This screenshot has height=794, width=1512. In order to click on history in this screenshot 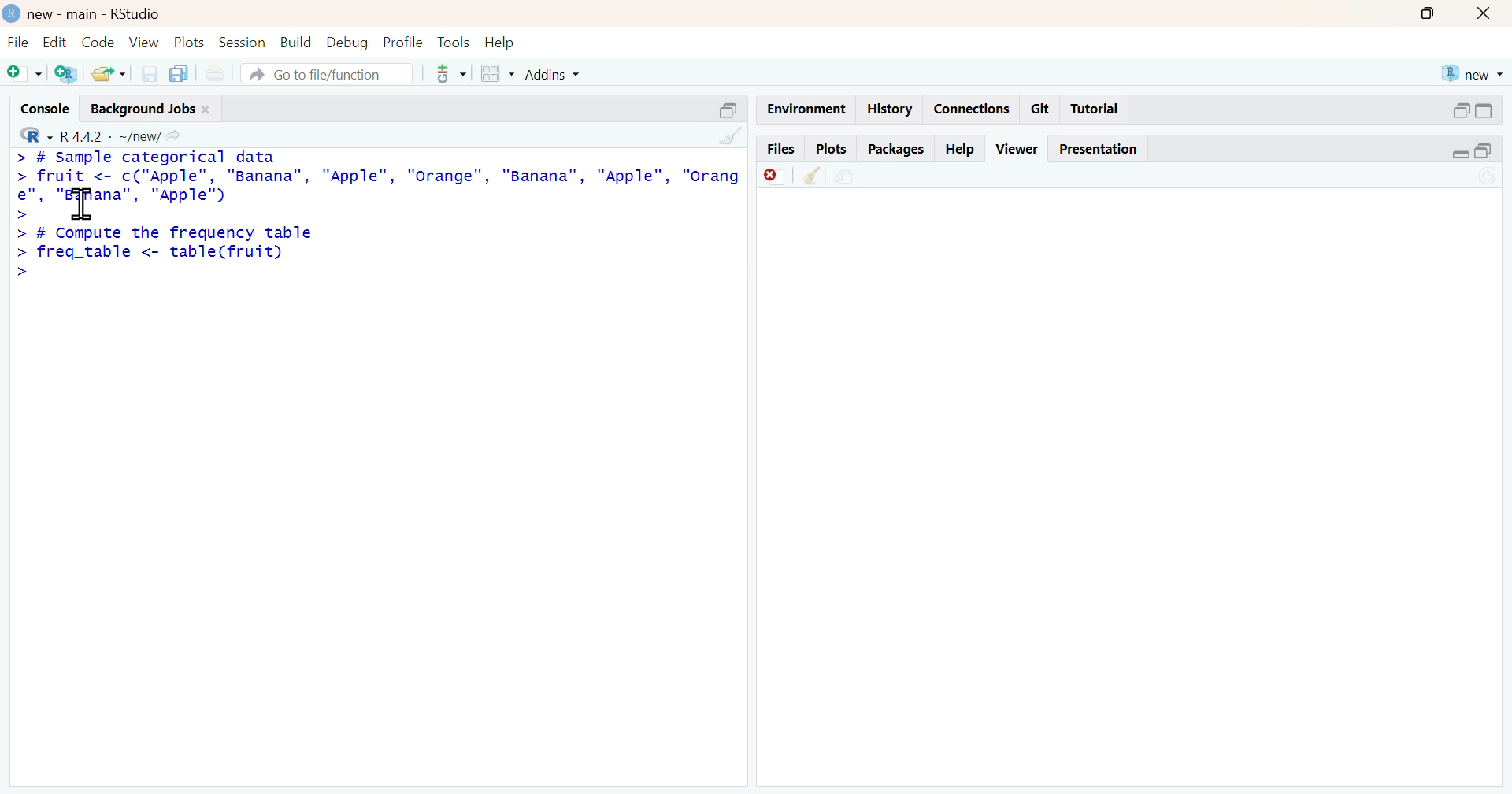, I will do `click(889, 109)`.